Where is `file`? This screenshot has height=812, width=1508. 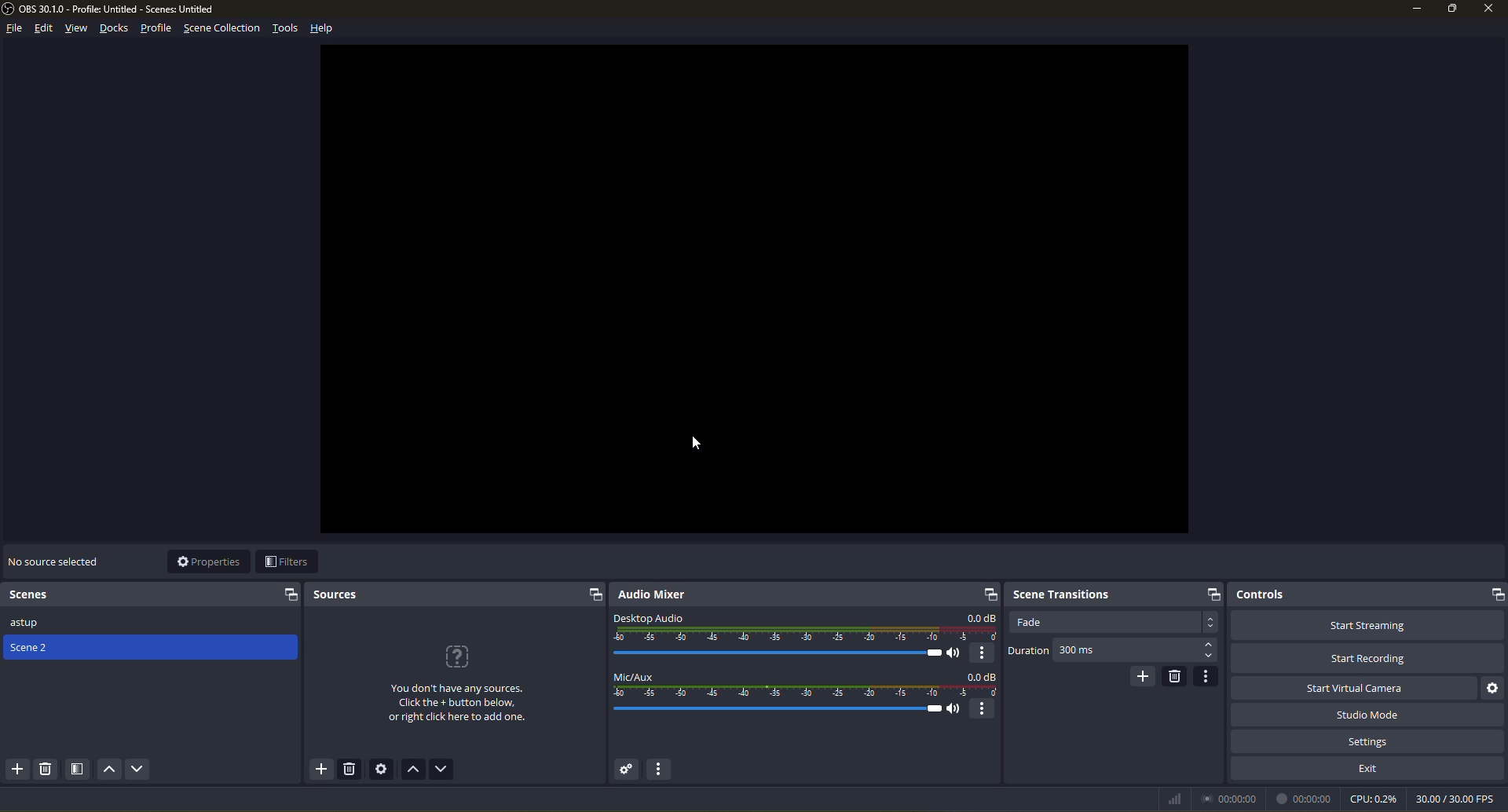 file is located at coordinates (16, 27).